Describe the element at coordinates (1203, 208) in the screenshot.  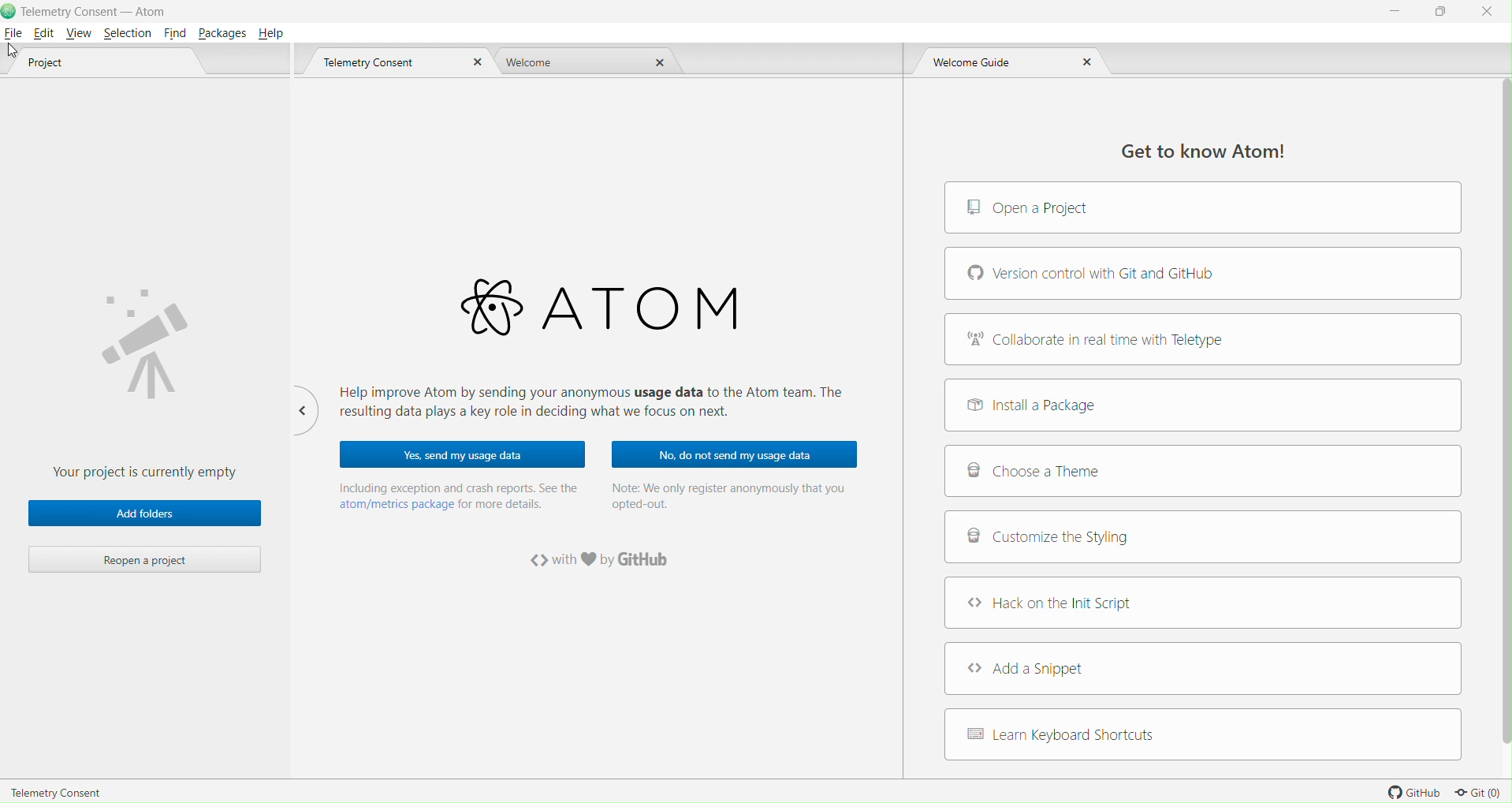
I see `Open a Project` at that location.